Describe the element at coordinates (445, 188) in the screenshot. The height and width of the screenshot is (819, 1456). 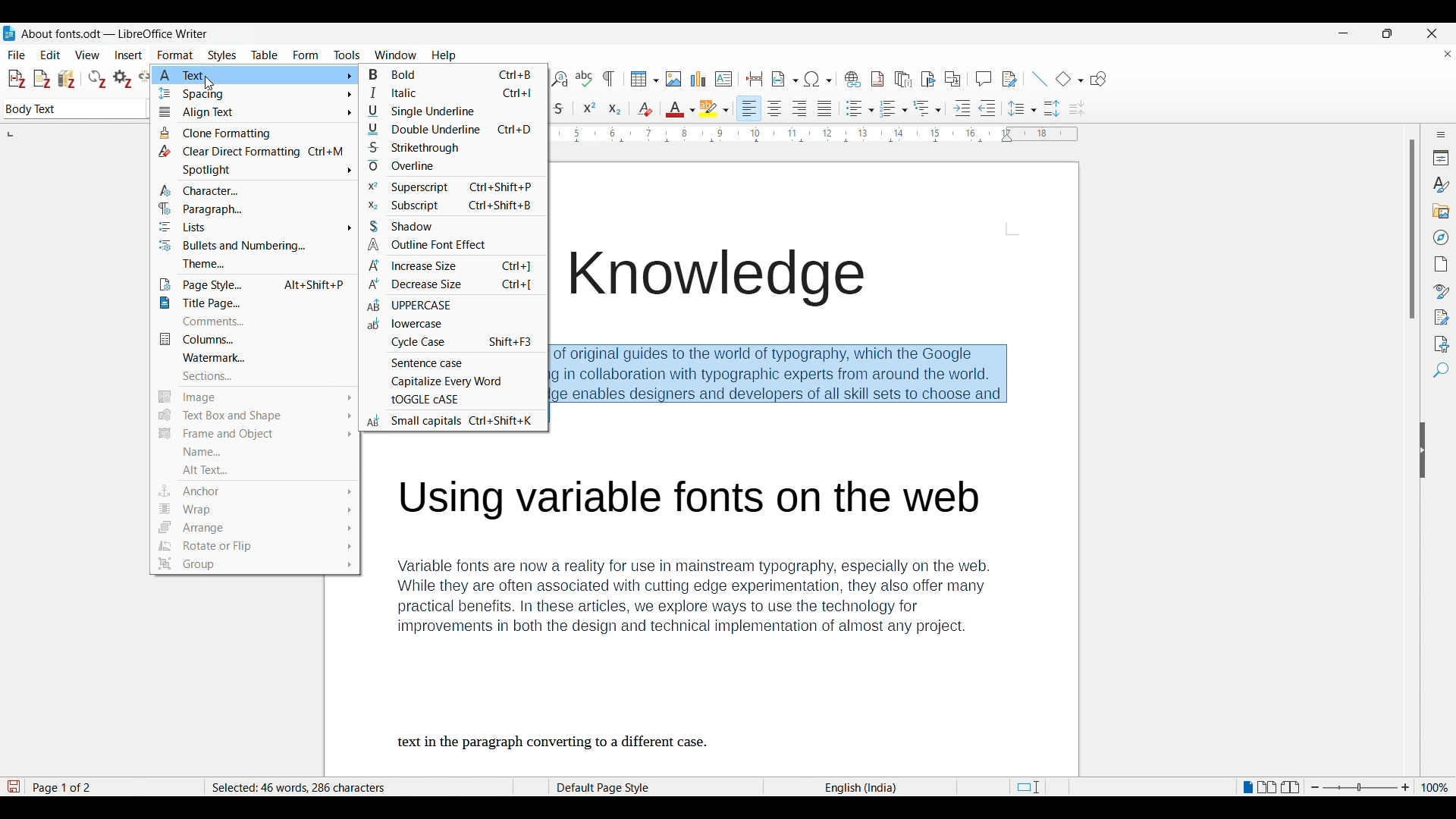
I see `Superscript` at that location.